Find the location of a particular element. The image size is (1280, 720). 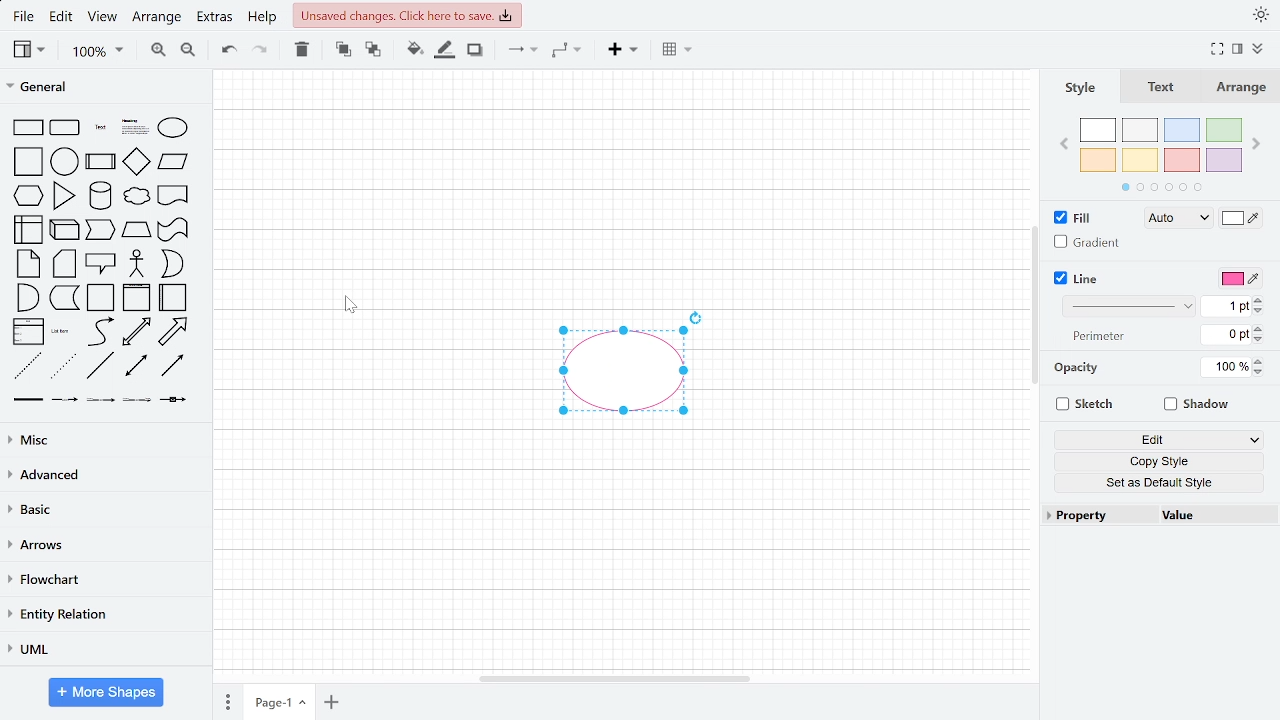

white is located at coordinates (1098, 131).